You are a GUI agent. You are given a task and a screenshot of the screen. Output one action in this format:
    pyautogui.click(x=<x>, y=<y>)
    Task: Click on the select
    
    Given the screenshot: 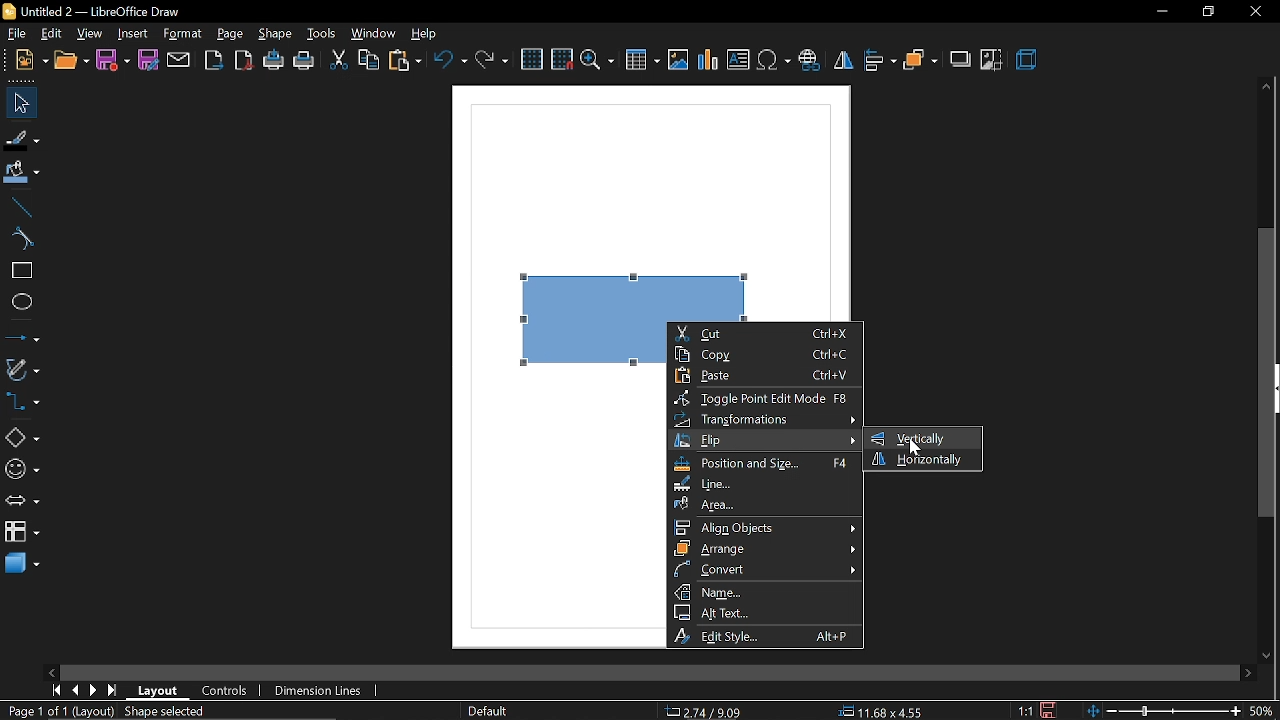 What is the action you would take?
    pyautogui.click(x=19, y=103)
    